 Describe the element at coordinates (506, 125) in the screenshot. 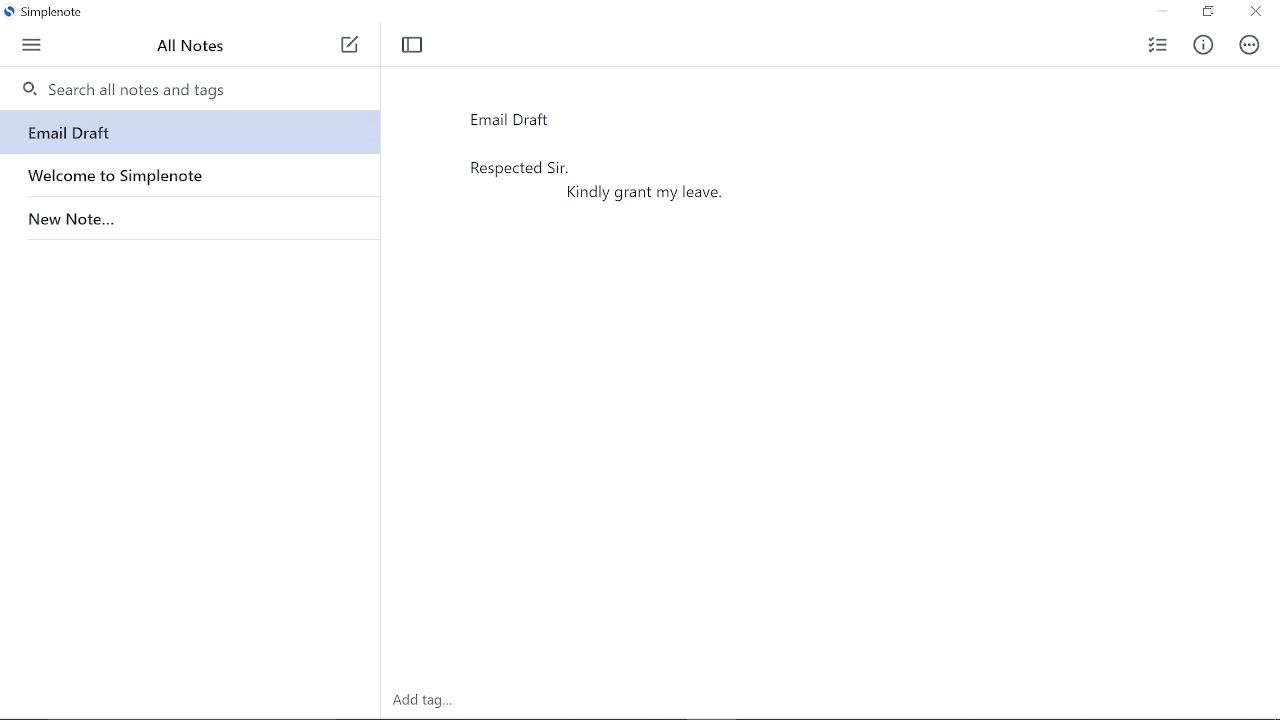

I see `Note title "Email Draft"` at that location.